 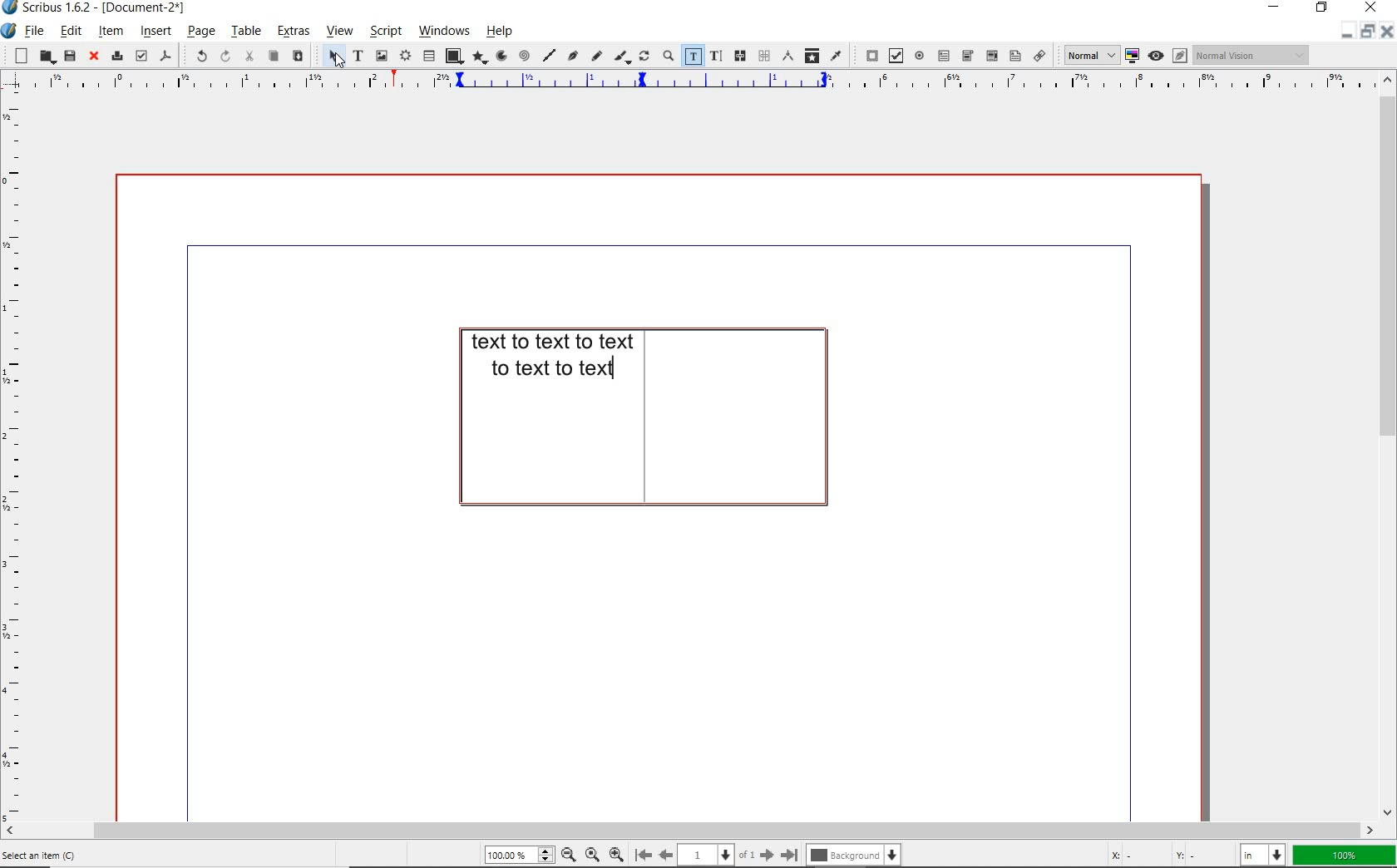 What do you see at coordinates (155, 31) in the screenshot?
I see `insert` at bounding box center [155, 31].